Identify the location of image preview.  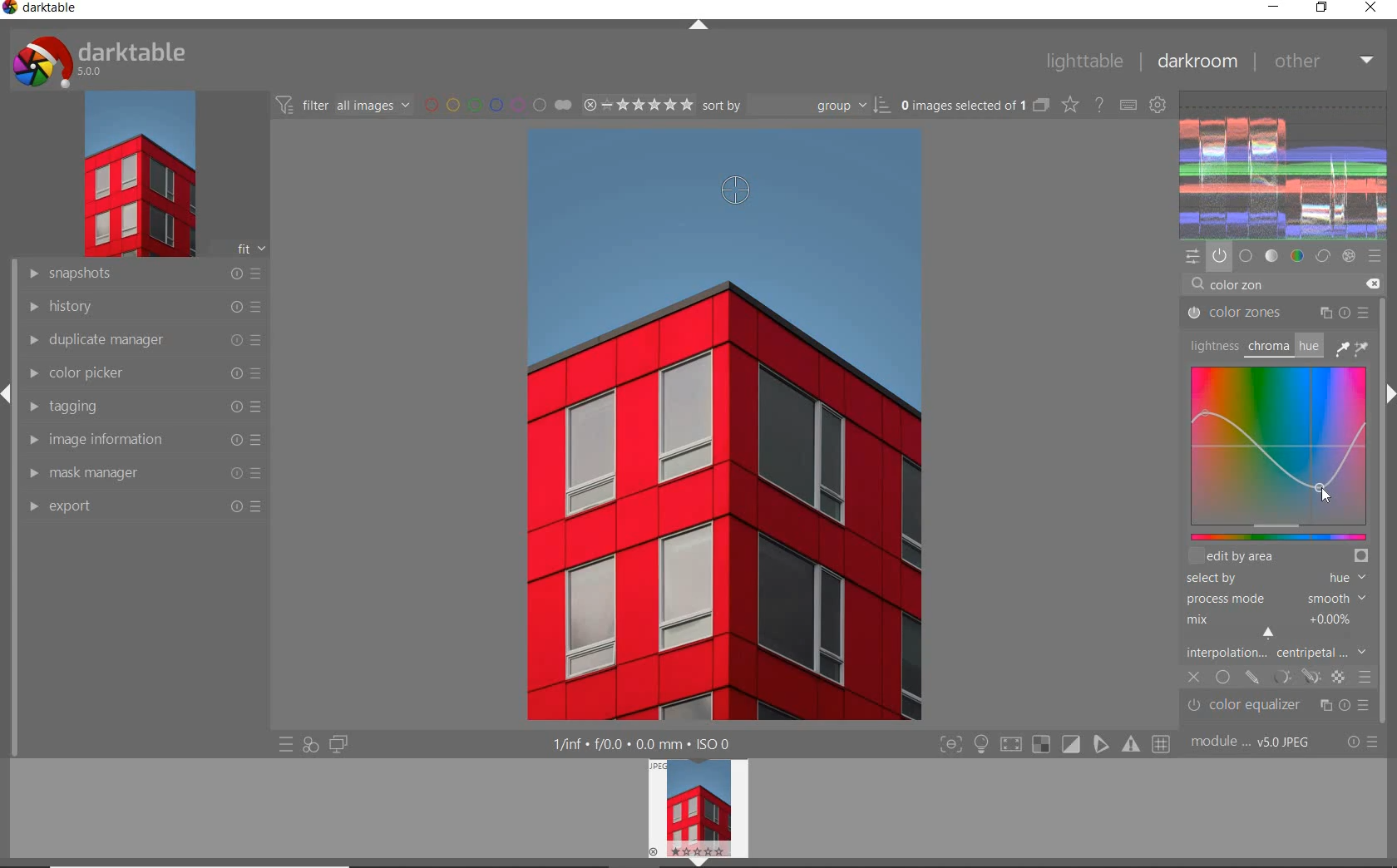
(696, 805).